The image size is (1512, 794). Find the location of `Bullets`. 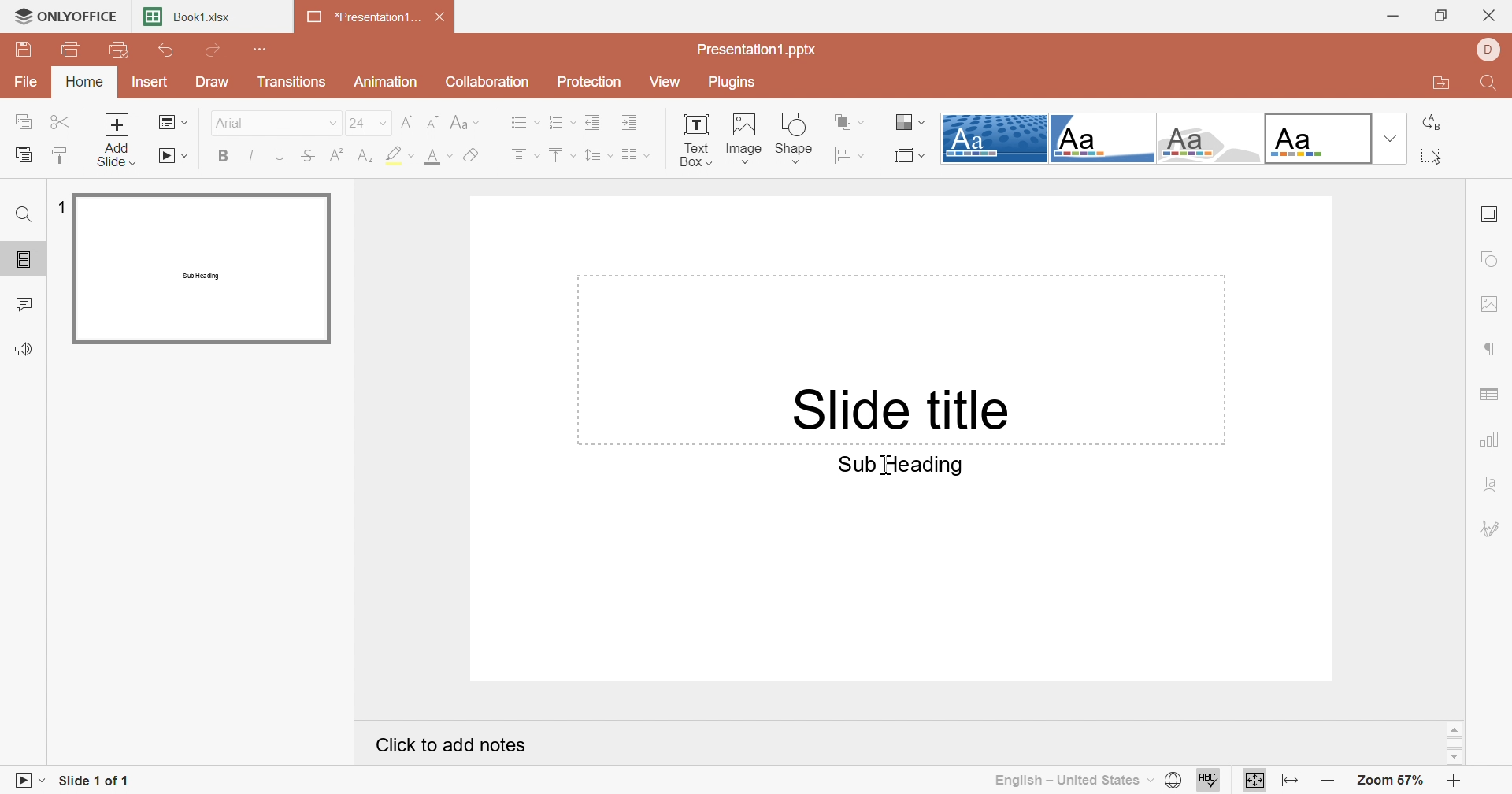

Bullets is located at coordinates (522, 123).